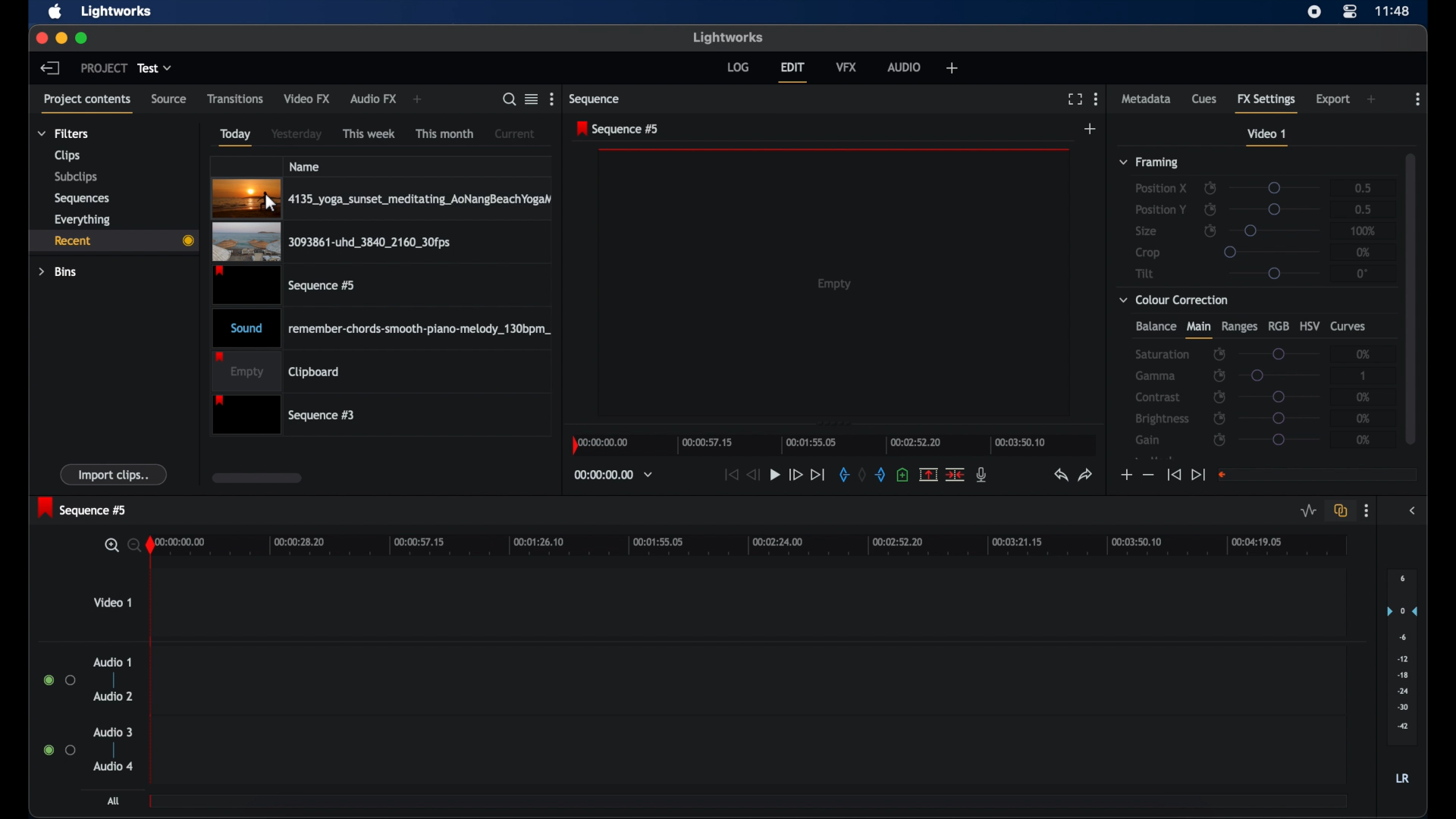 The height and width of the screenshot is (819, 1456). What do you see at coordinates (1315, 11) in the screenshot?
I see `screen recorder` at bounding box center [1315, 11].